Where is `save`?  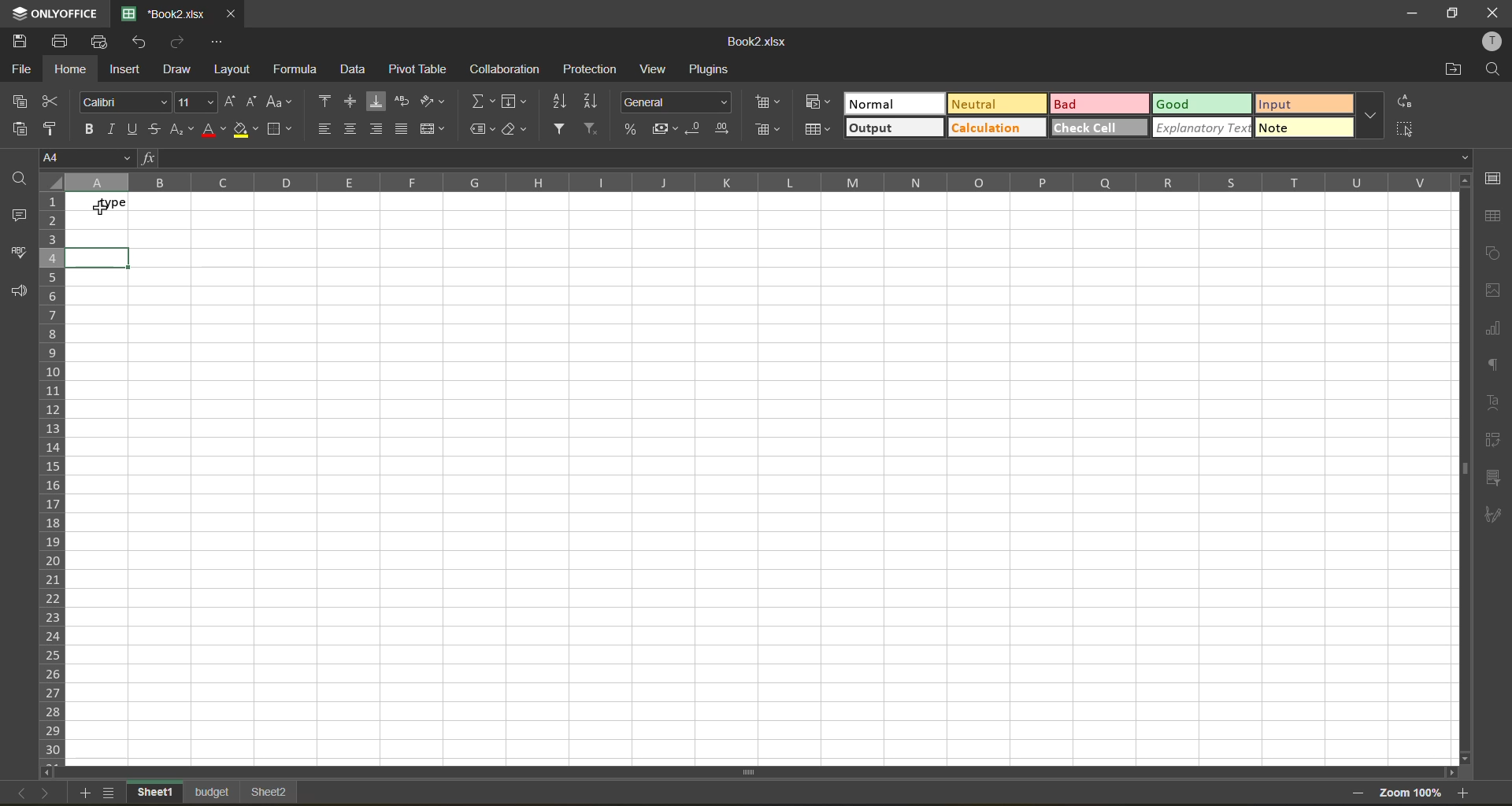
save is located at coordinates (18, 43).